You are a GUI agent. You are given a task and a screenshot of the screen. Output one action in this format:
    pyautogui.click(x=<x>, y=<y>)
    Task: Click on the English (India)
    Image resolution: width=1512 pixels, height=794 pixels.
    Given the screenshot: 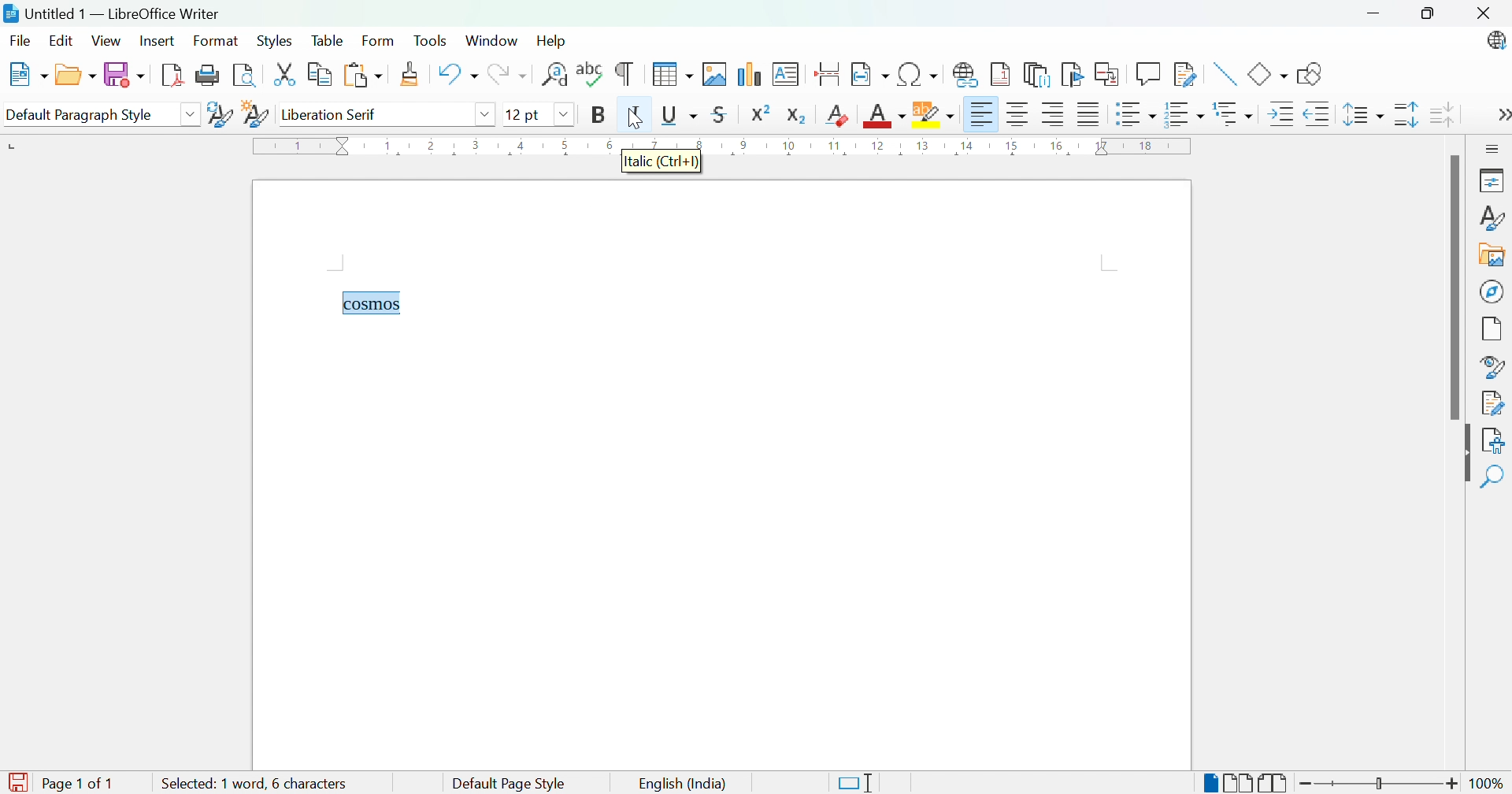 What is the action you would take?
    pyautogui.click(x=680, y=784)
    